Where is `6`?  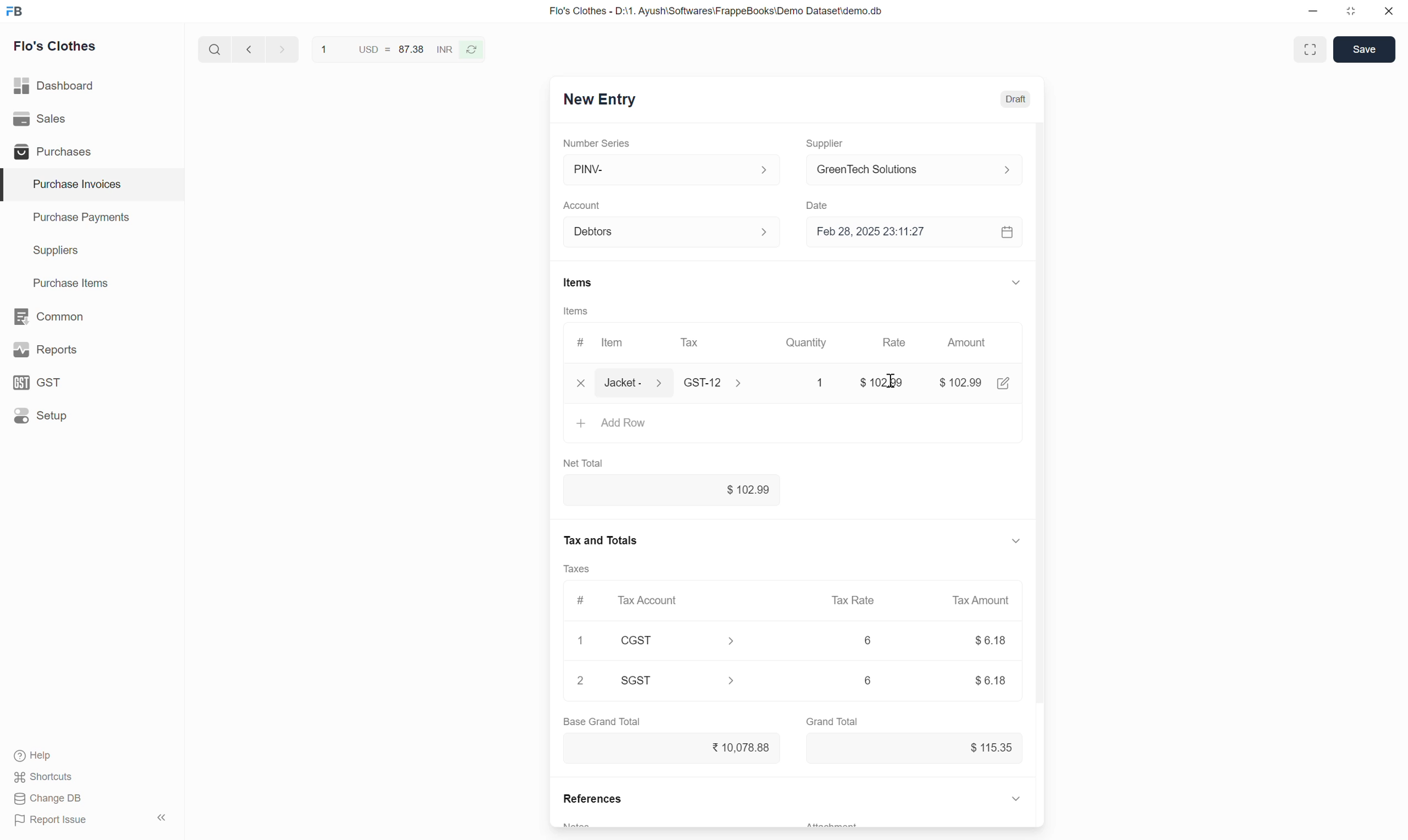 6 is located at coordinates (868, 640).